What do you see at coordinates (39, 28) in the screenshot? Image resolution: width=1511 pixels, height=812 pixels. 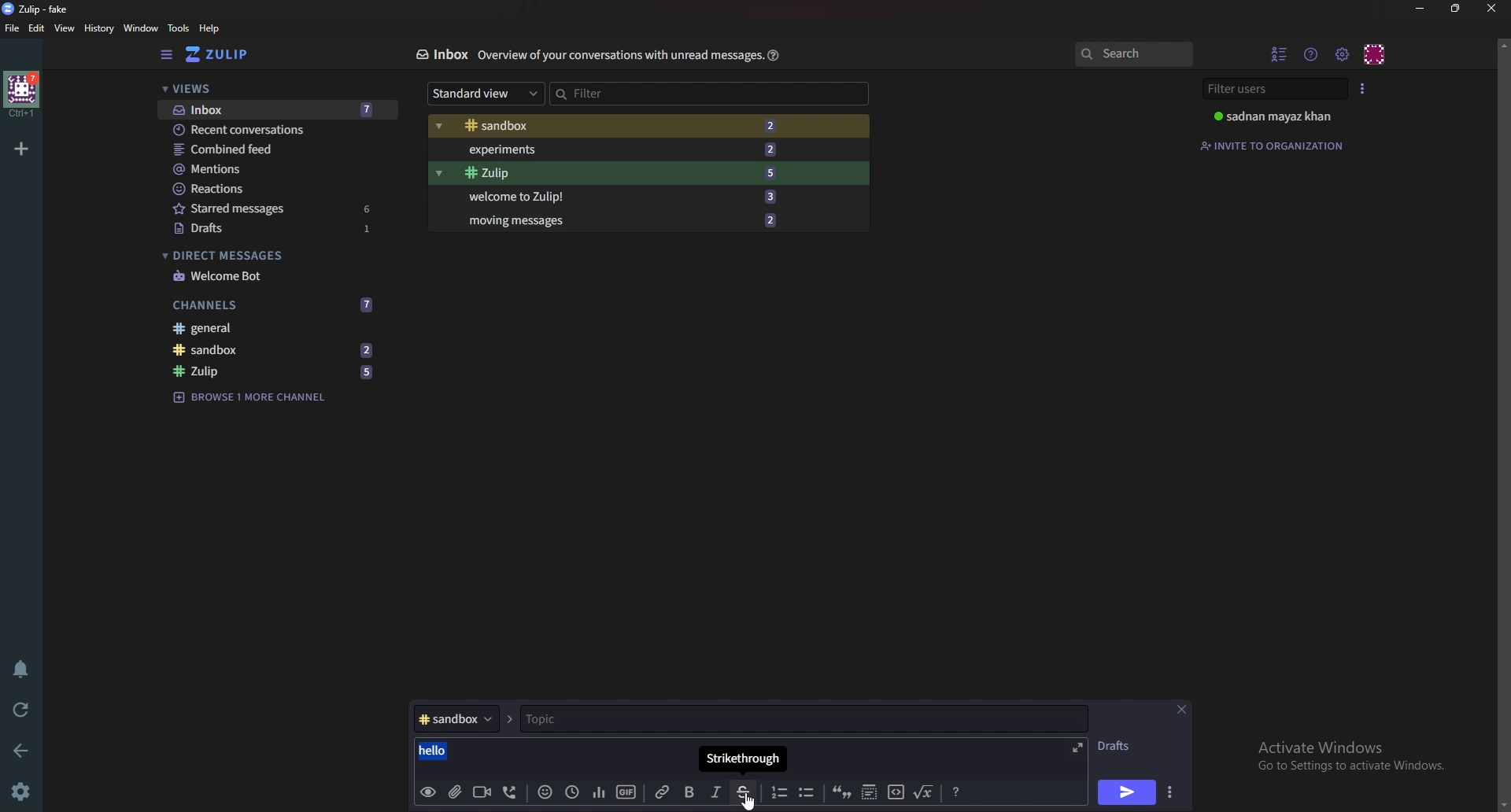 I see `Edit` at bounding box center [39, 28].